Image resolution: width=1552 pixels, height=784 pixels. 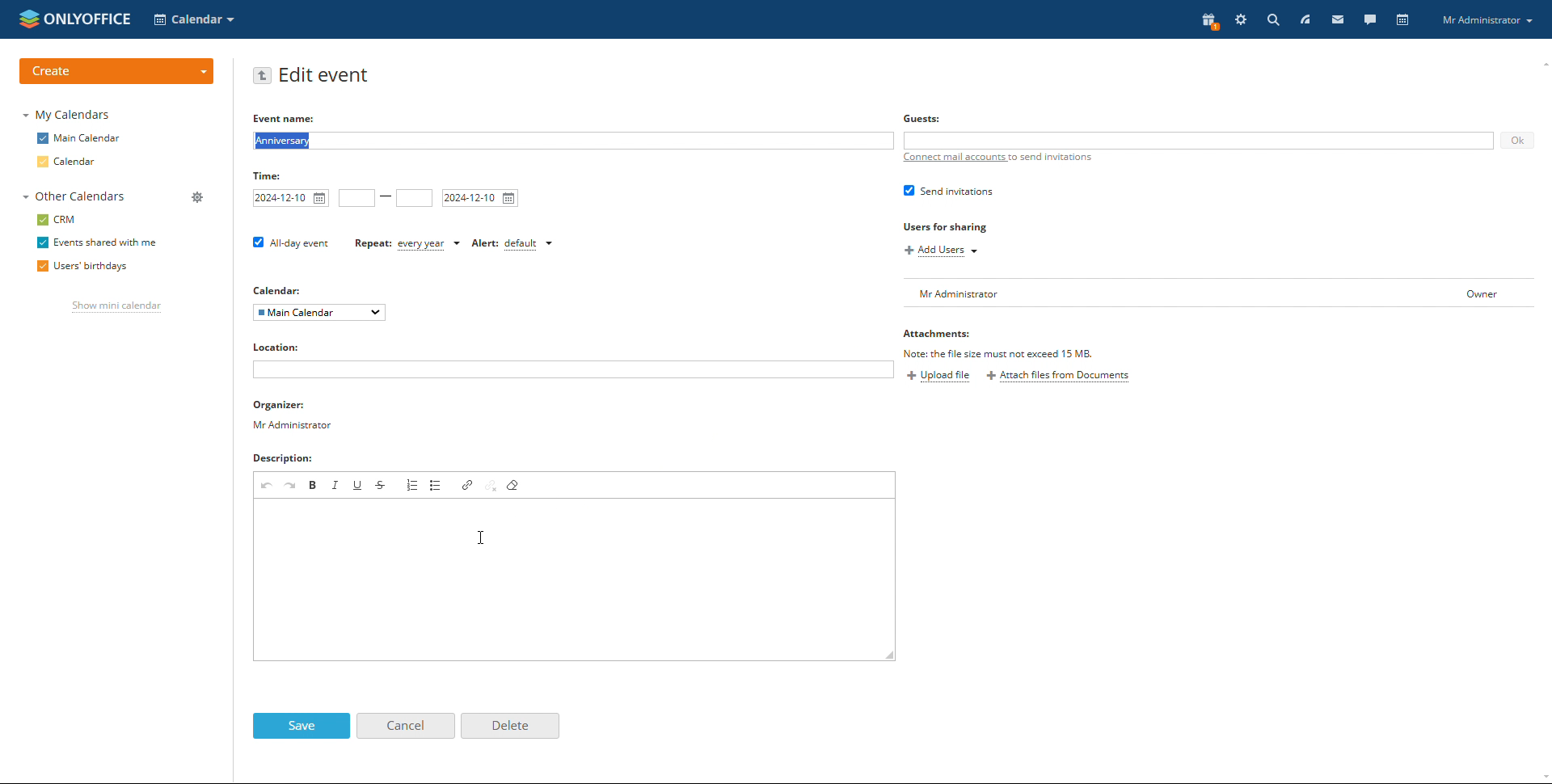 What do you see at coordinates (1026, 354) in the screenshot?
I see `Note: the file size 1` at bounding box center [1026, 354].